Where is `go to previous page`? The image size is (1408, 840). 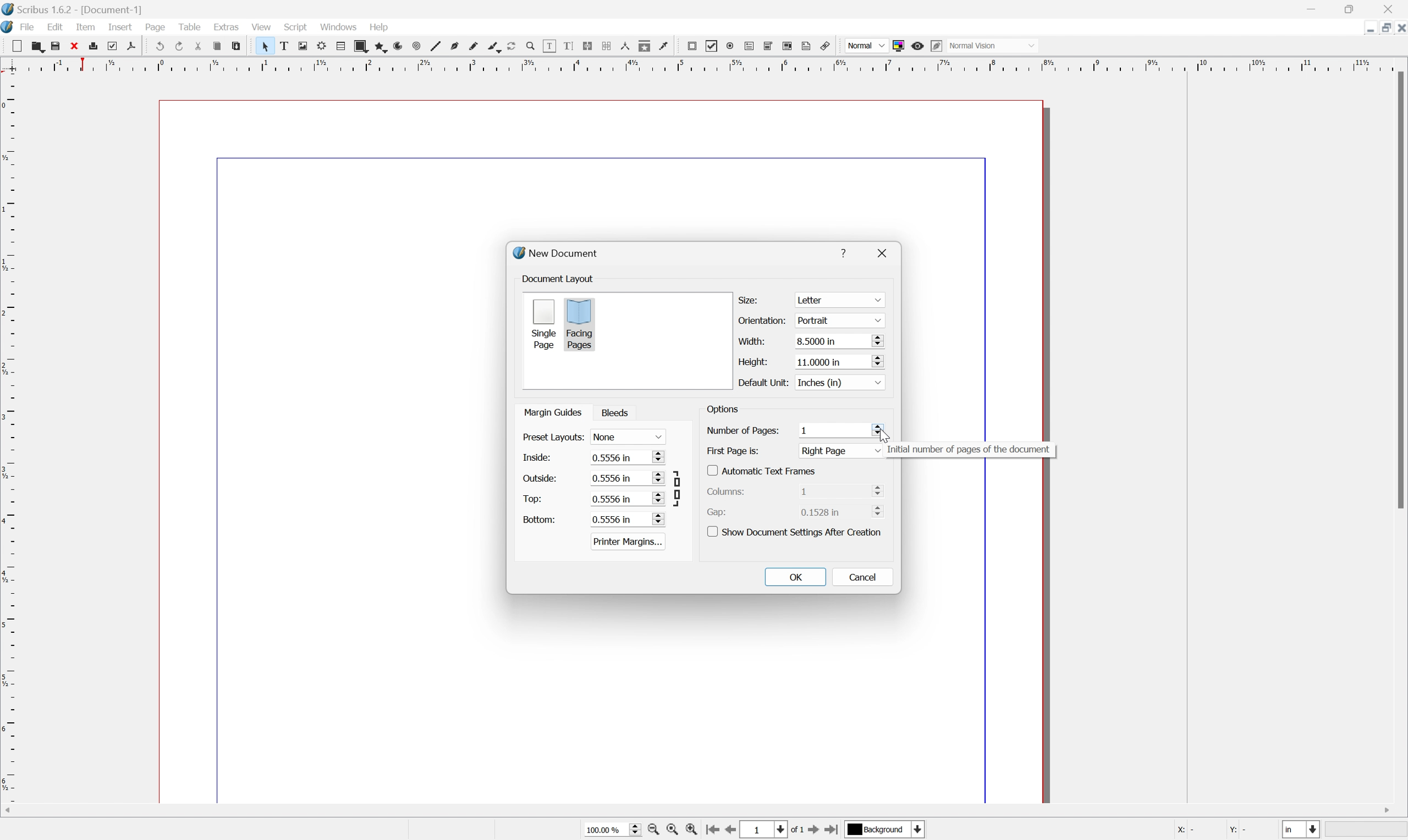 go to previous page is located at coordinates (733, 831).